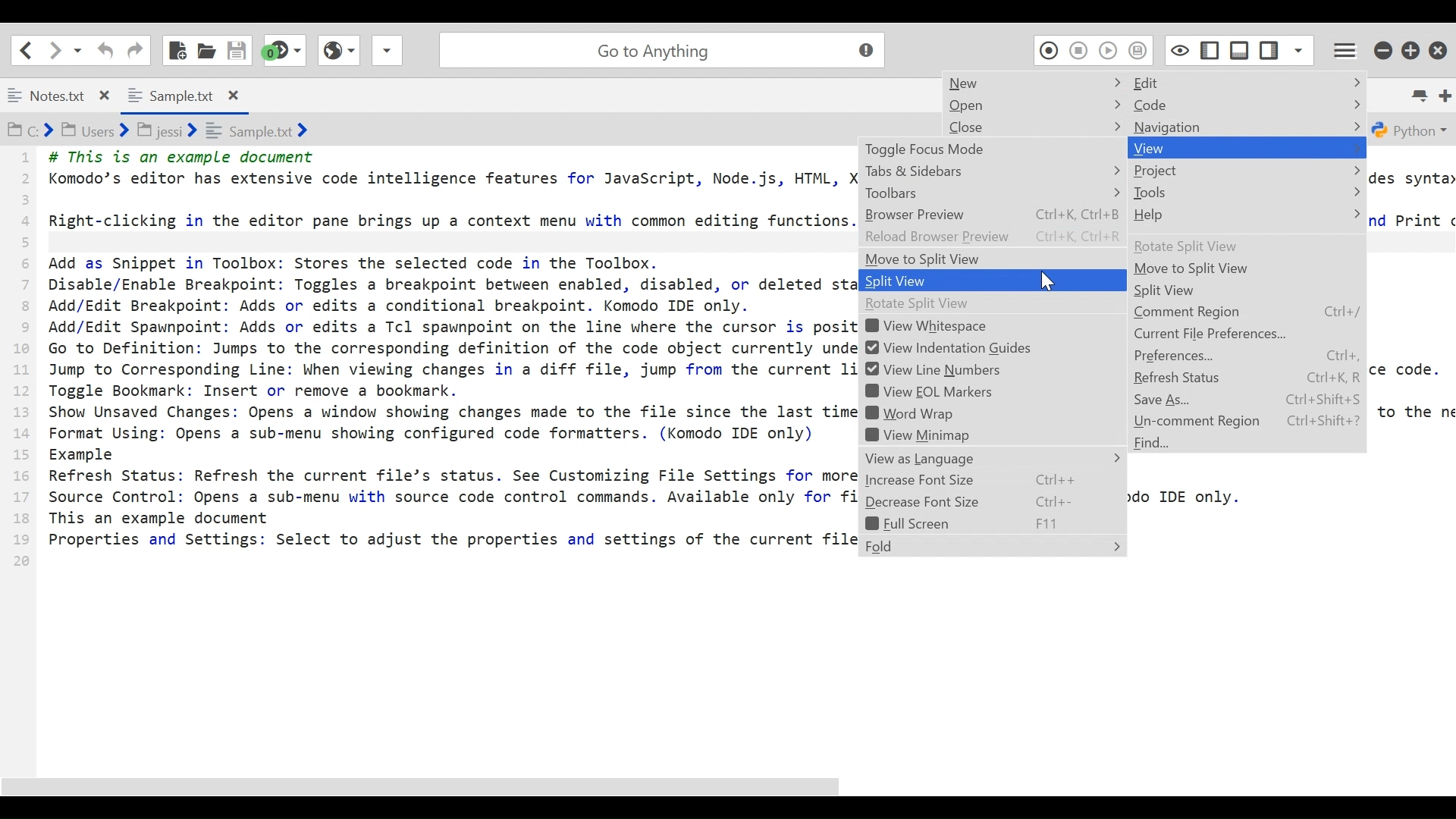 The width and height of the screenshot is (1456, 819). Describe the element at coordinates (1078, 50) in the screenshot. I see `Stop Recording Macro` at that location.